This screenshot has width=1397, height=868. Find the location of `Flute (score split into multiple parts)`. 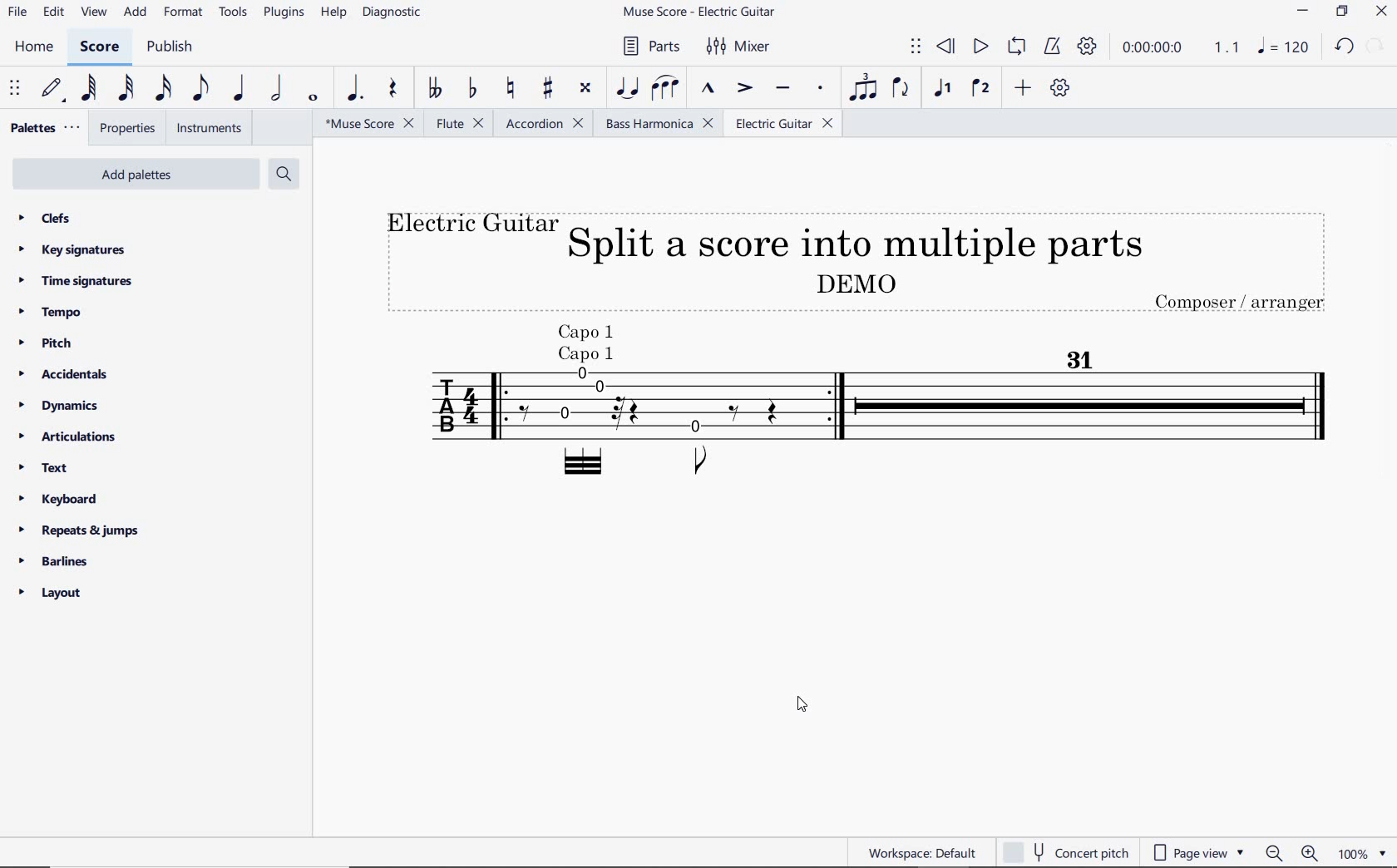

Flute (score split into multiple parts) is located at coordinates (457, 125).